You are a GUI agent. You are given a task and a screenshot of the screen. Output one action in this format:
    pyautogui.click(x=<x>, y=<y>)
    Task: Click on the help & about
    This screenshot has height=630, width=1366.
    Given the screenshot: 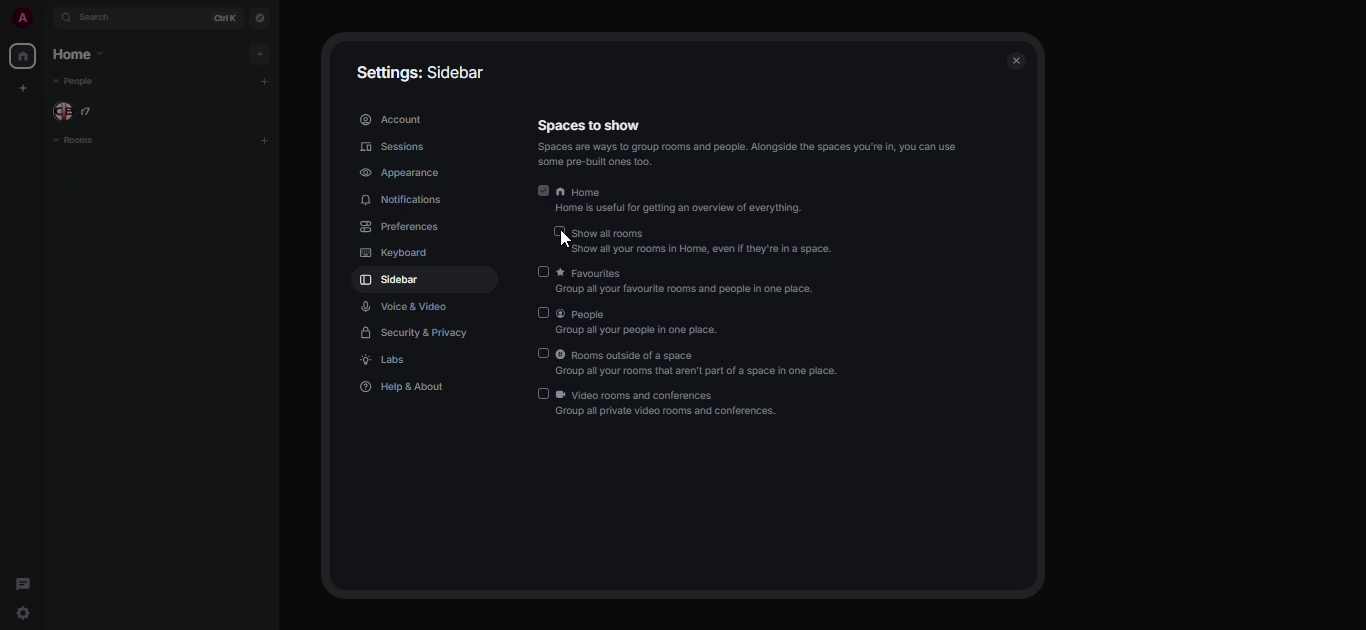 What is the action you would take?
    pyautogui.click(x=405, y=387)
    